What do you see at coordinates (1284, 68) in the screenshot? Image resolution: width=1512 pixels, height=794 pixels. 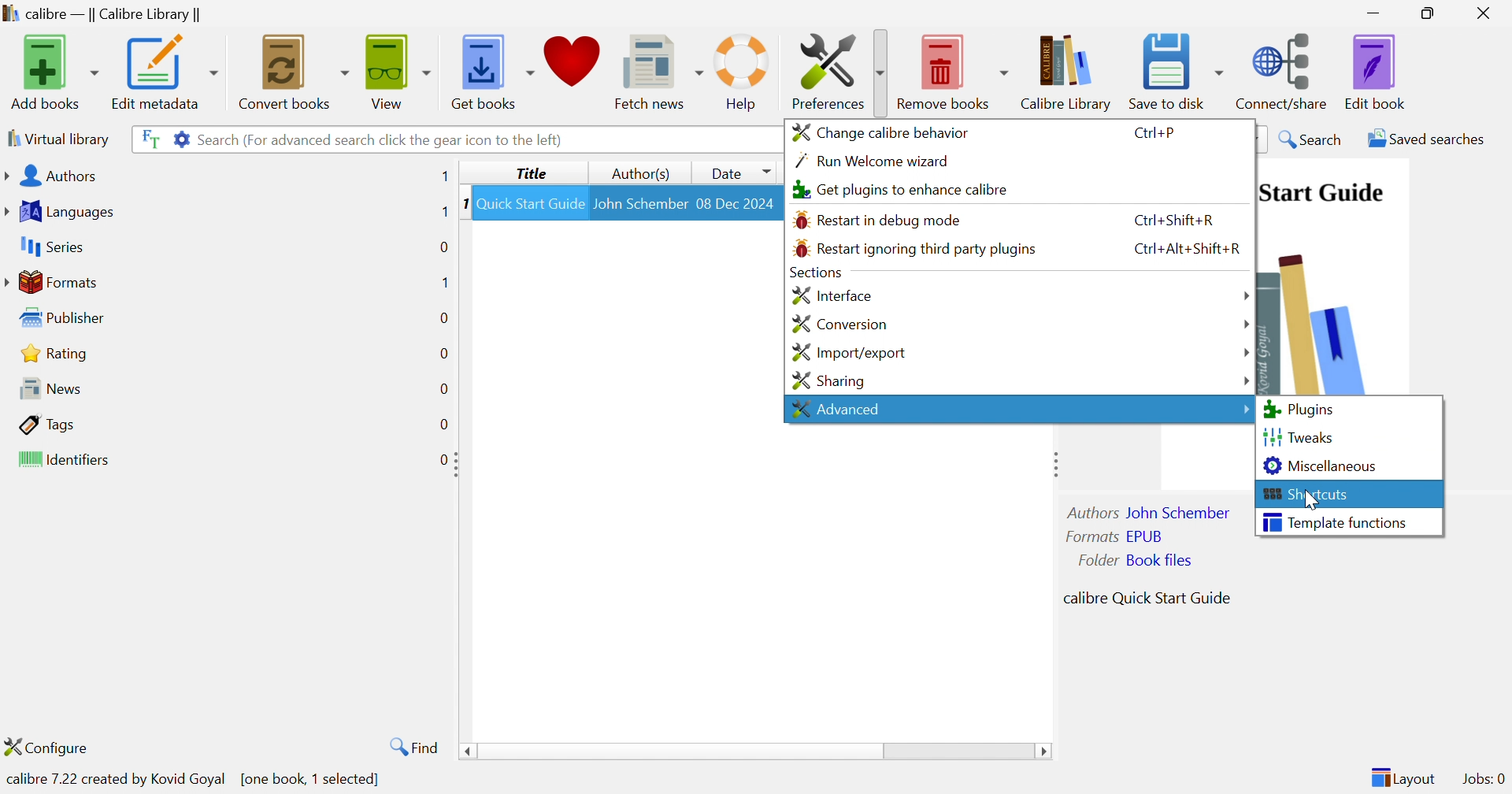 I see `Connect/share` at bounding box center [1284, 68].